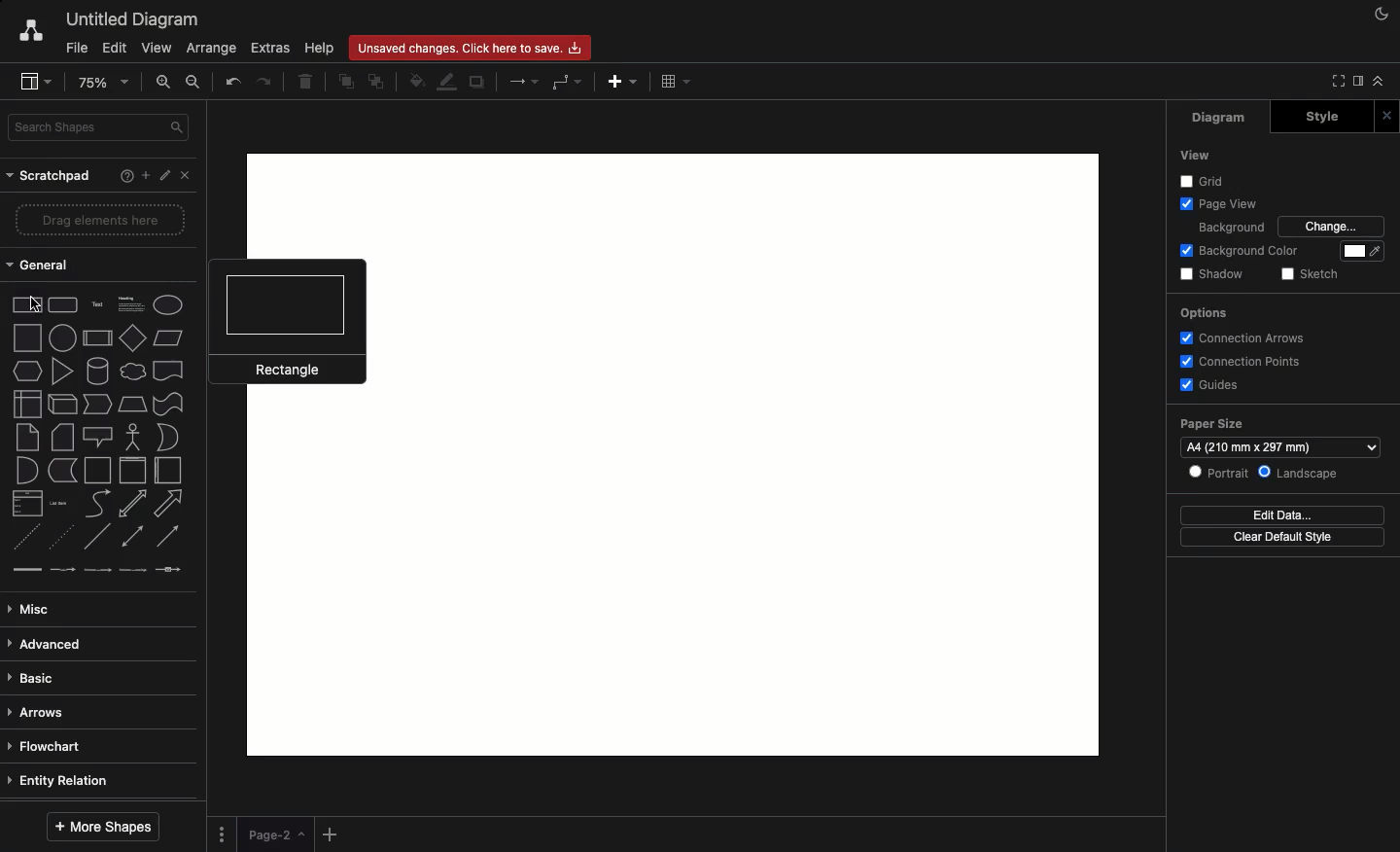  What do you see at coordinates (32, 34) in the screenshot?
I see `Draw.io` at bounding box center [32, 34].